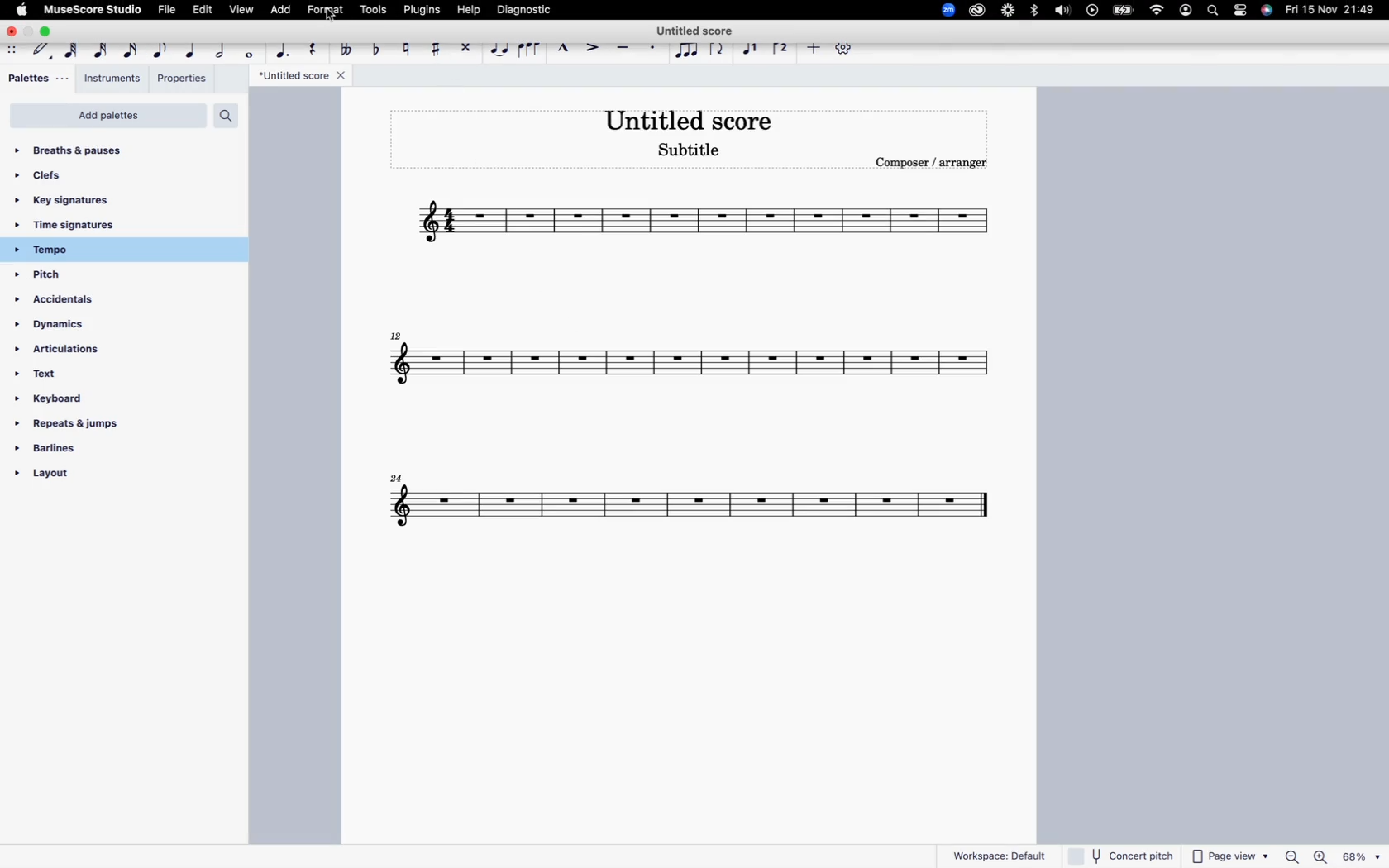 This screenshot has height=868, width=1389. What do you see at coordinates (43, 50) in the screenshot?
I see `default` at bounding box center [43, 50].